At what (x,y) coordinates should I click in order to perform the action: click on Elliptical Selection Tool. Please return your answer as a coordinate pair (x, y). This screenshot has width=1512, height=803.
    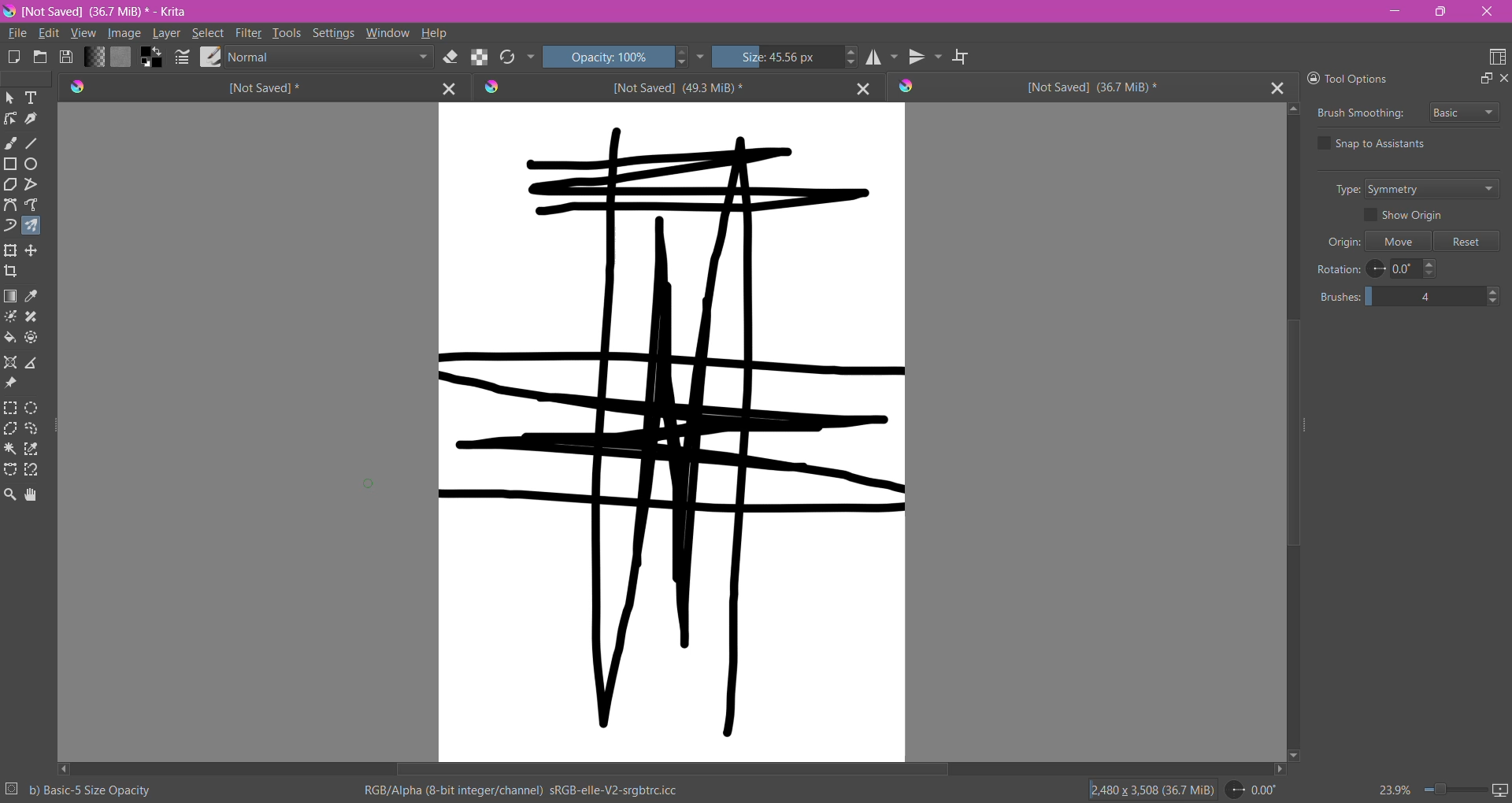
    Looking at the image, I should click on (33, 408).